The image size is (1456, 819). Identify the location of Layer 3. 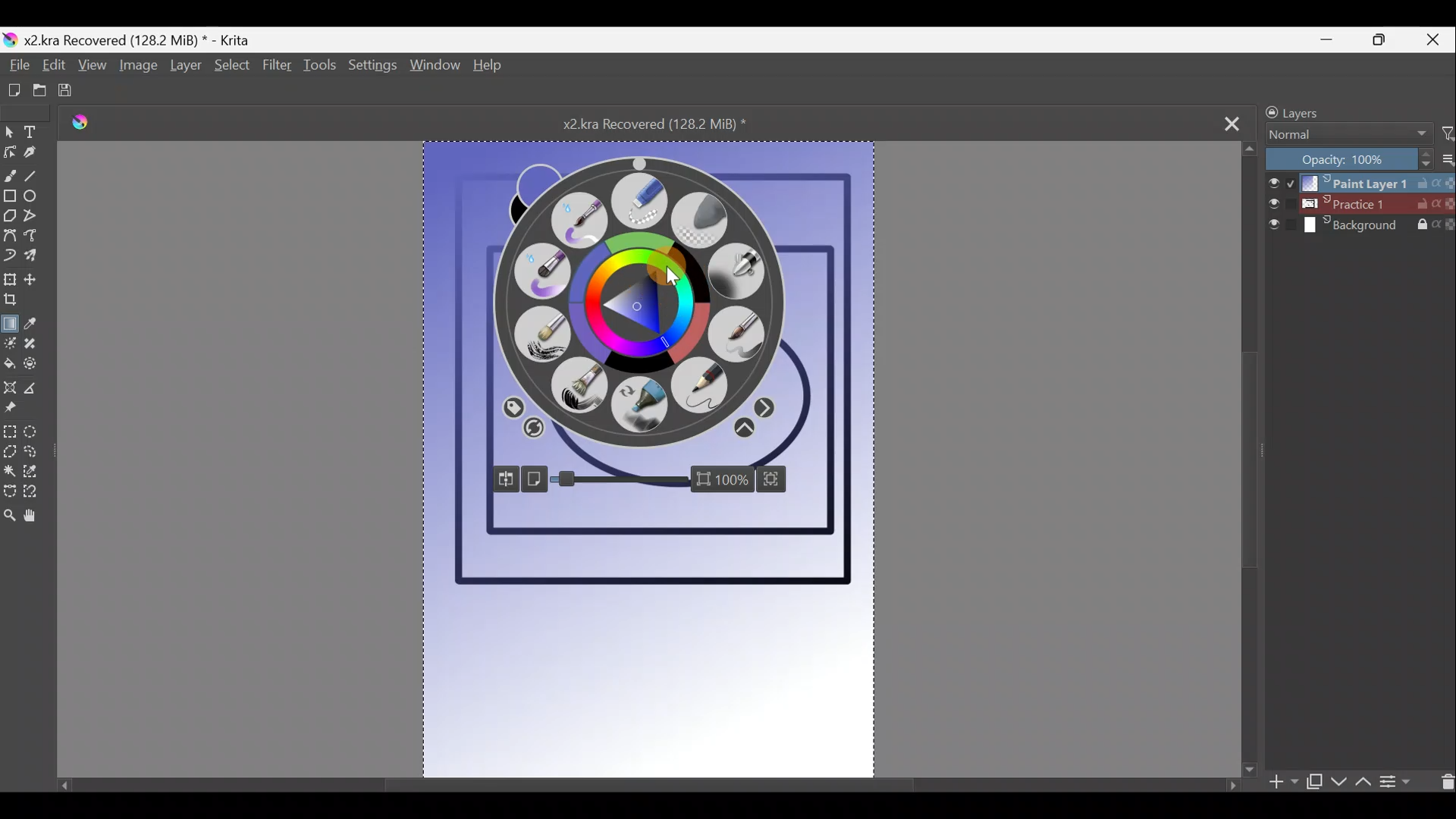
(1360, 227).